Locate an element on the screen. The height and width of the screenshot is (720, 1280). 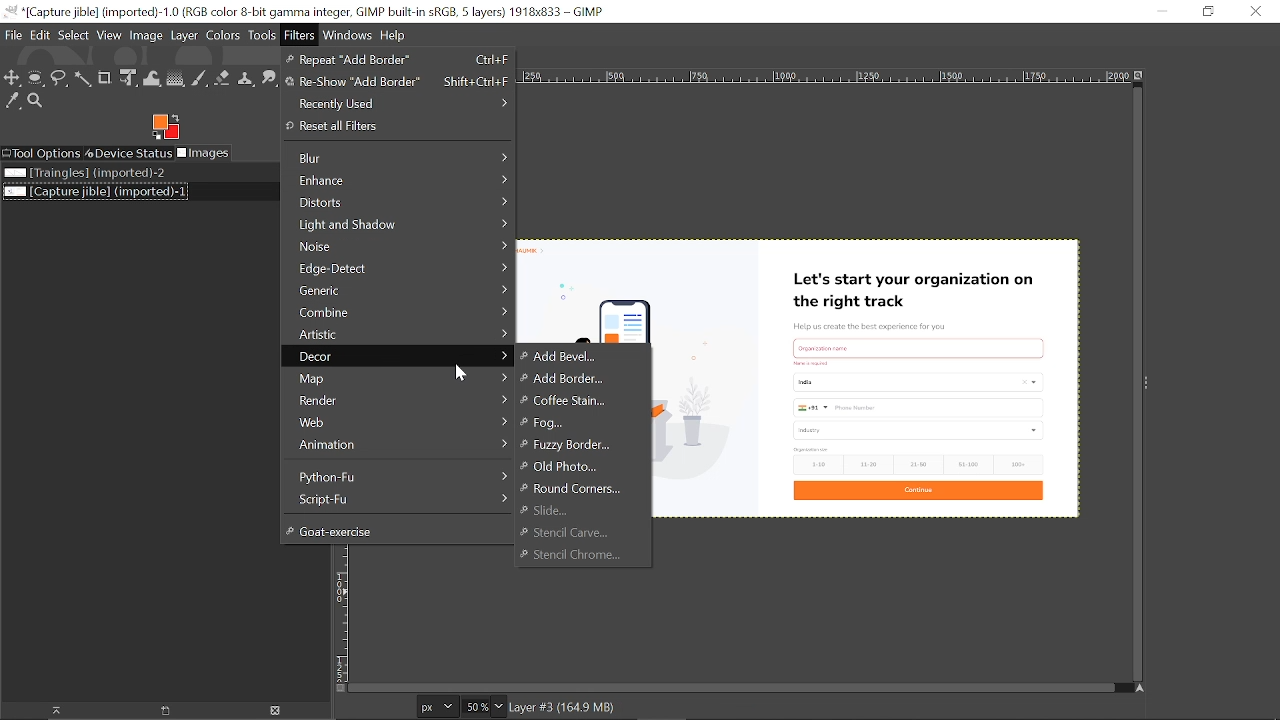
Slide... is located at coordinates (547, 510).